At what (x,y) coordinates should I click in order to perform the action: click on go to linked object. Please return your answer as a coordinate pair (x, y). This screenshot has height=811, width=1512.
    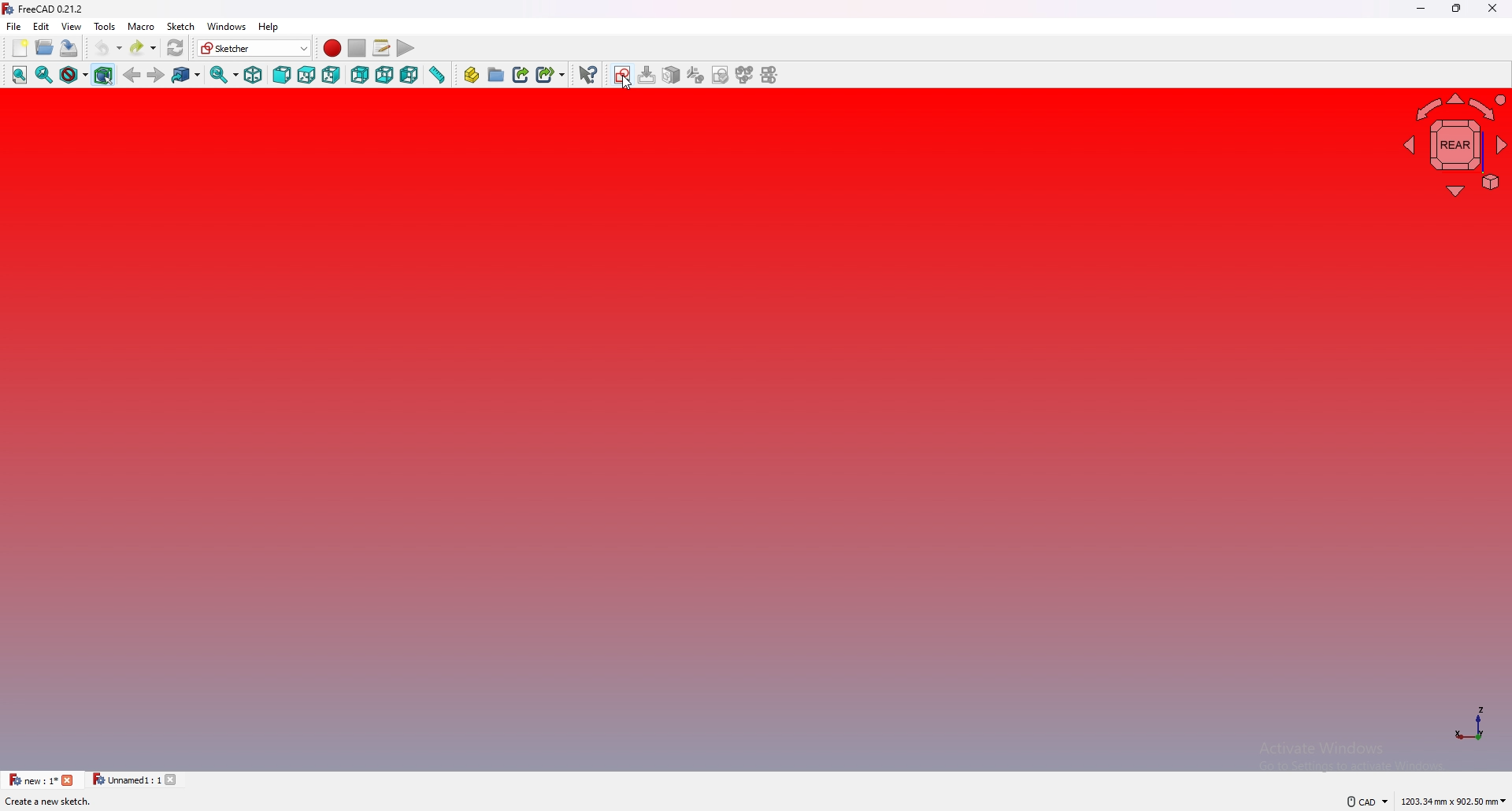
    Looking at the image, I should click on (187, 74).